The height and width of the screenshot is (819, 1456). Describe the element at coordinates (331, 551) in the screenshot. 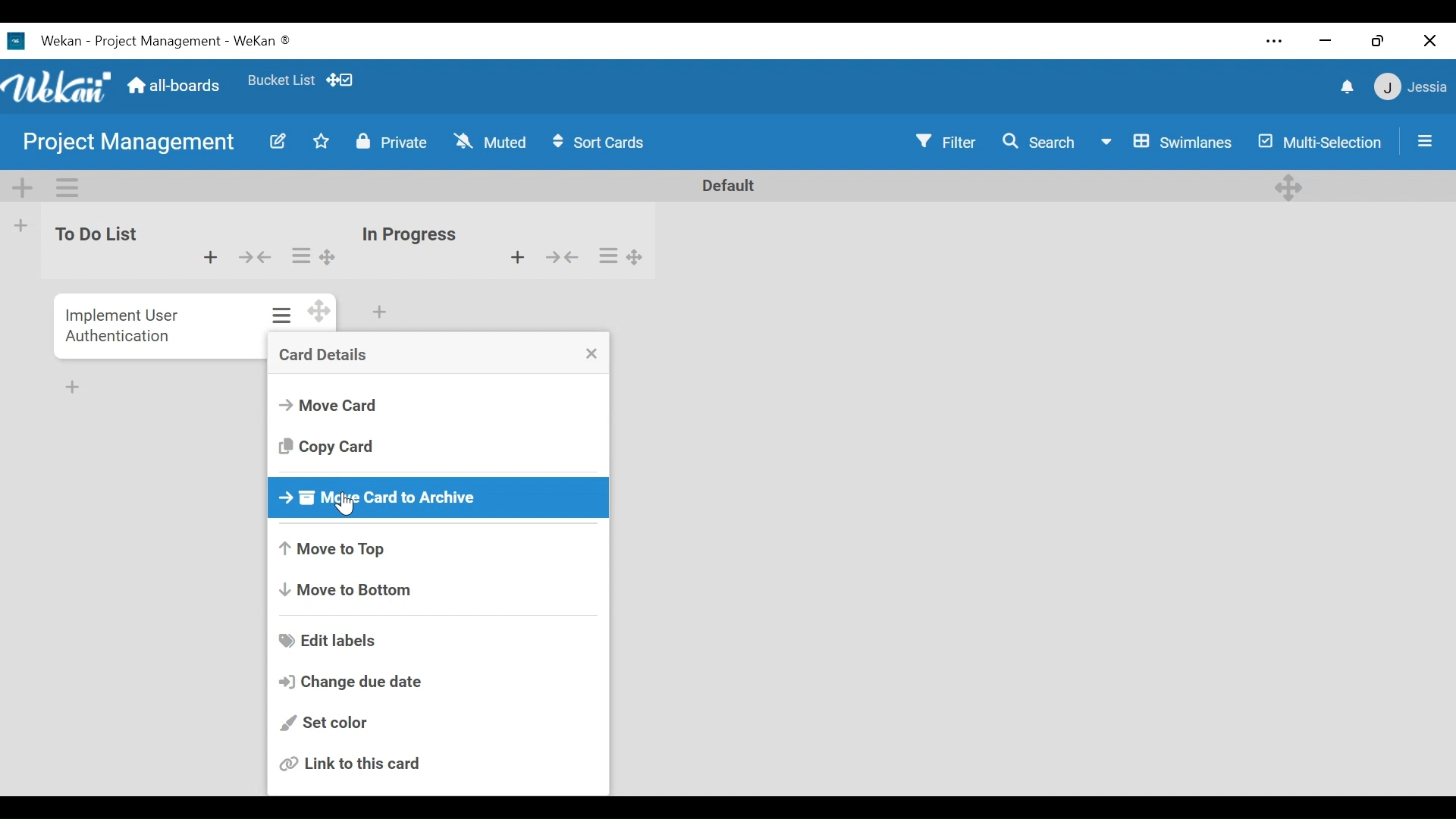

I see `Move to Top` at that location.